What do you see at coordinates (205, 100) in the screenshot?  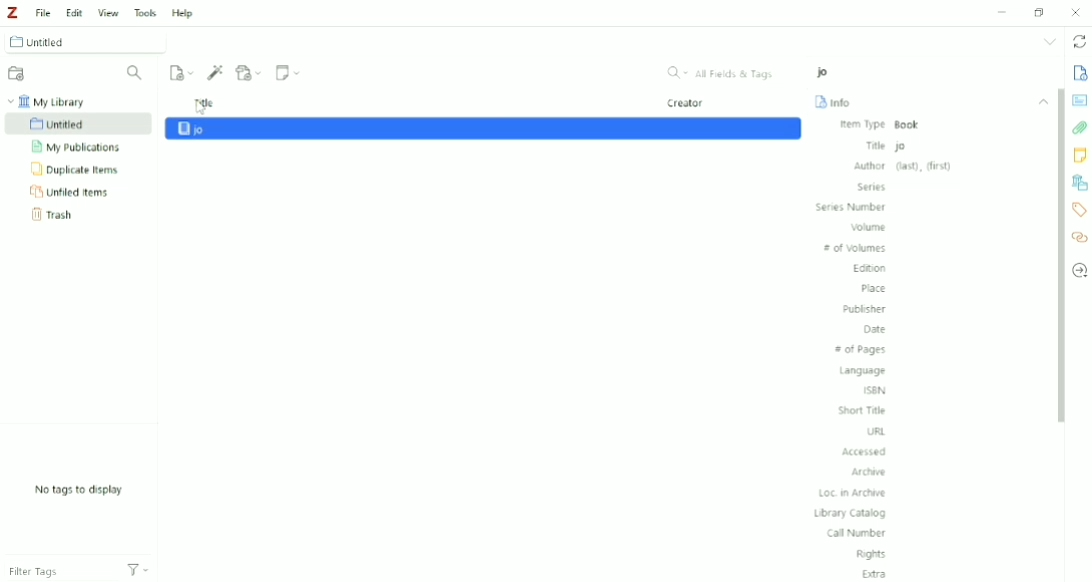 I see `Title` at bounding box center [205, 100].